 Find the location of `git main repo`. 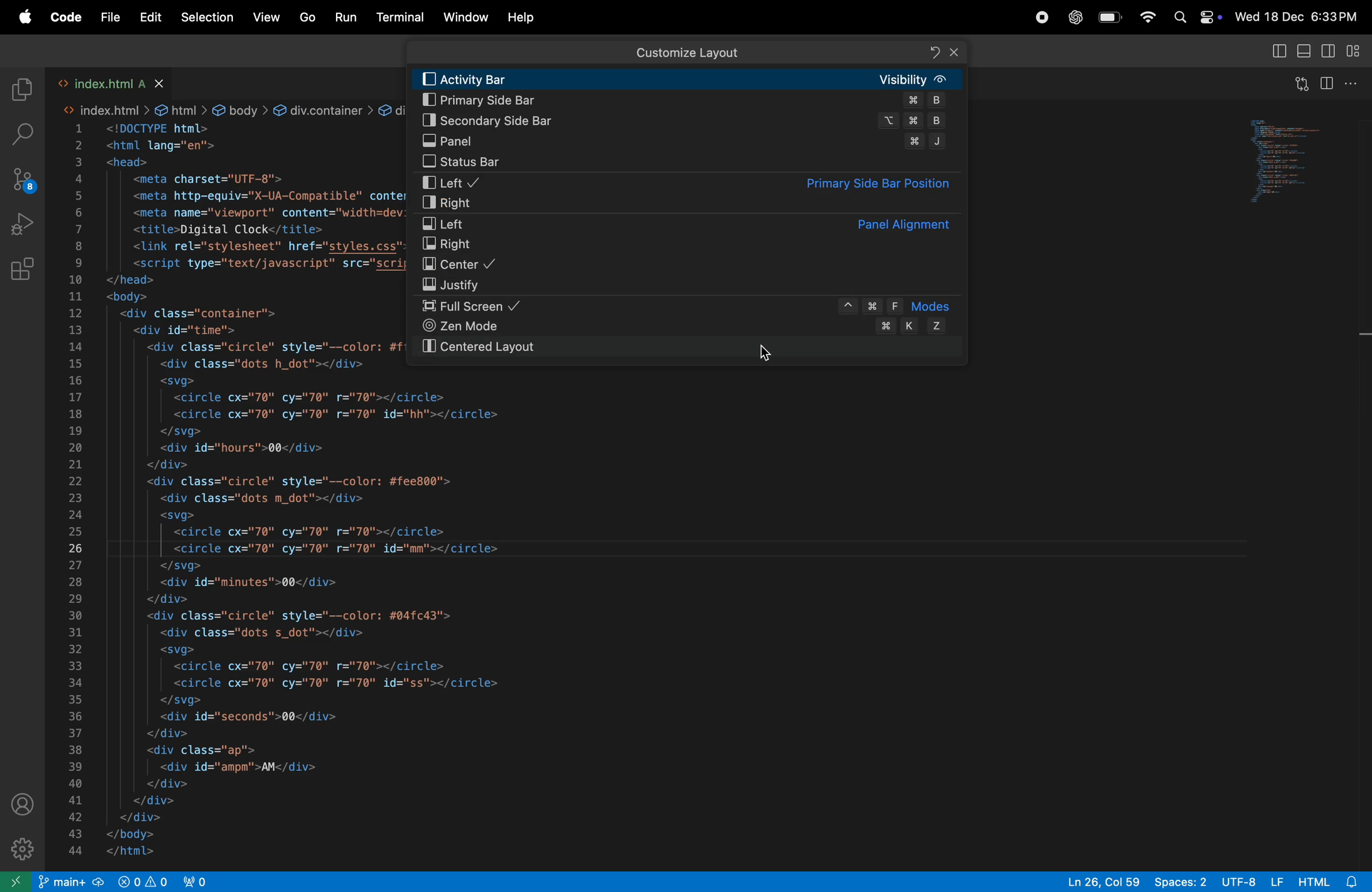

git main repo is located at coordinates (72, 882).